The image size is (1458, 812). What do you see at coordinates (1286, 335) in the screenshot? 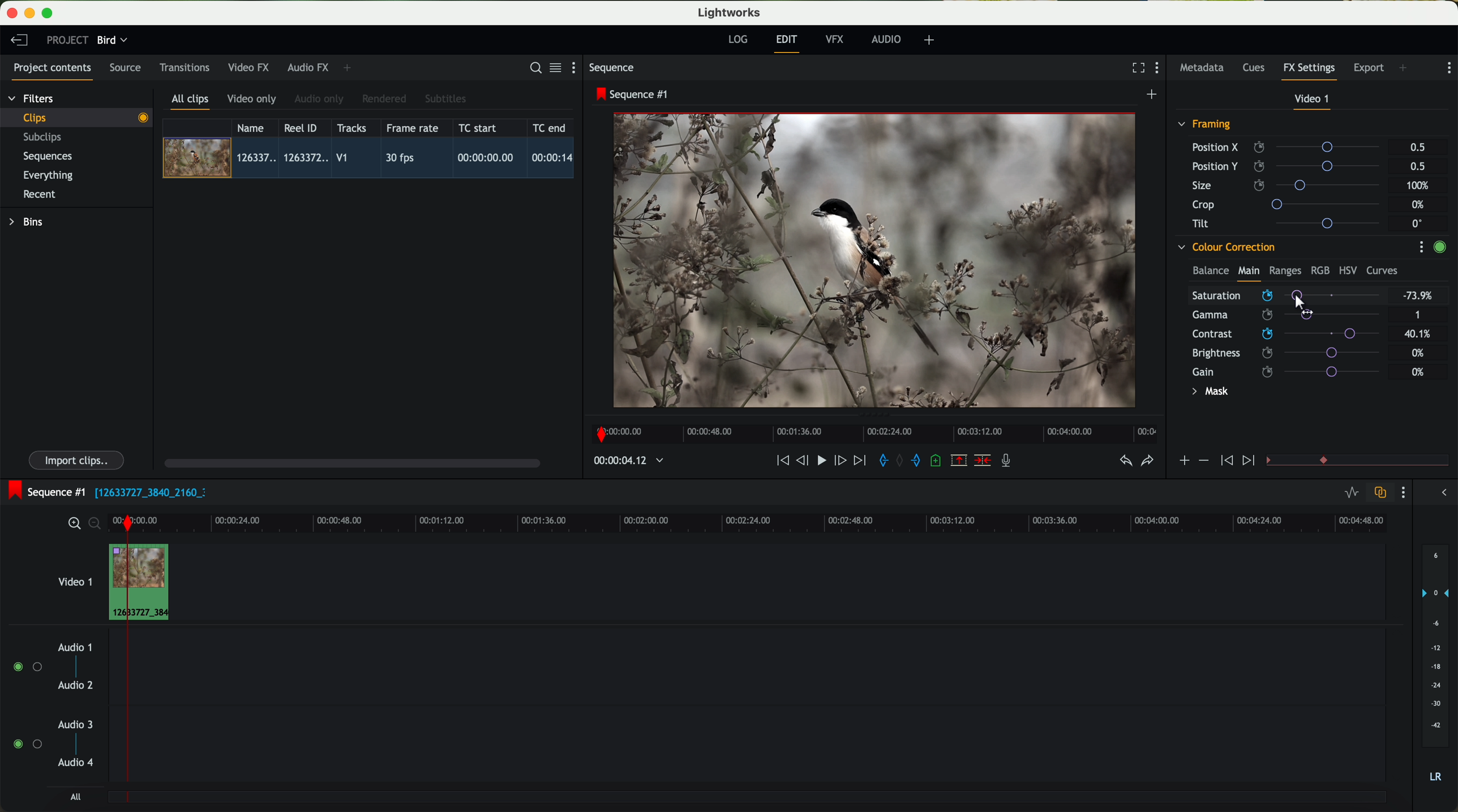
I see `click on contrast` at bounding box center [1286, 335].